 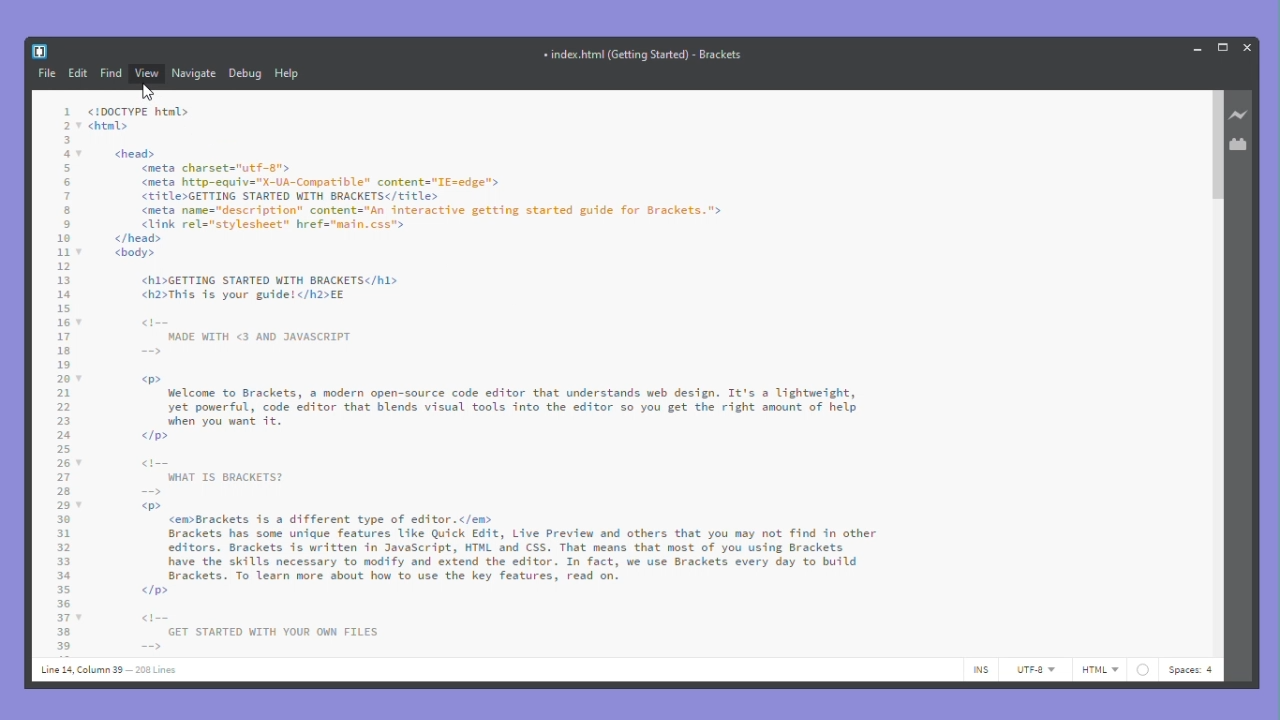 What do you see at coordinates (195, 73) in the screenshot?
I see `Navigate` at bounding box center [195, 73].